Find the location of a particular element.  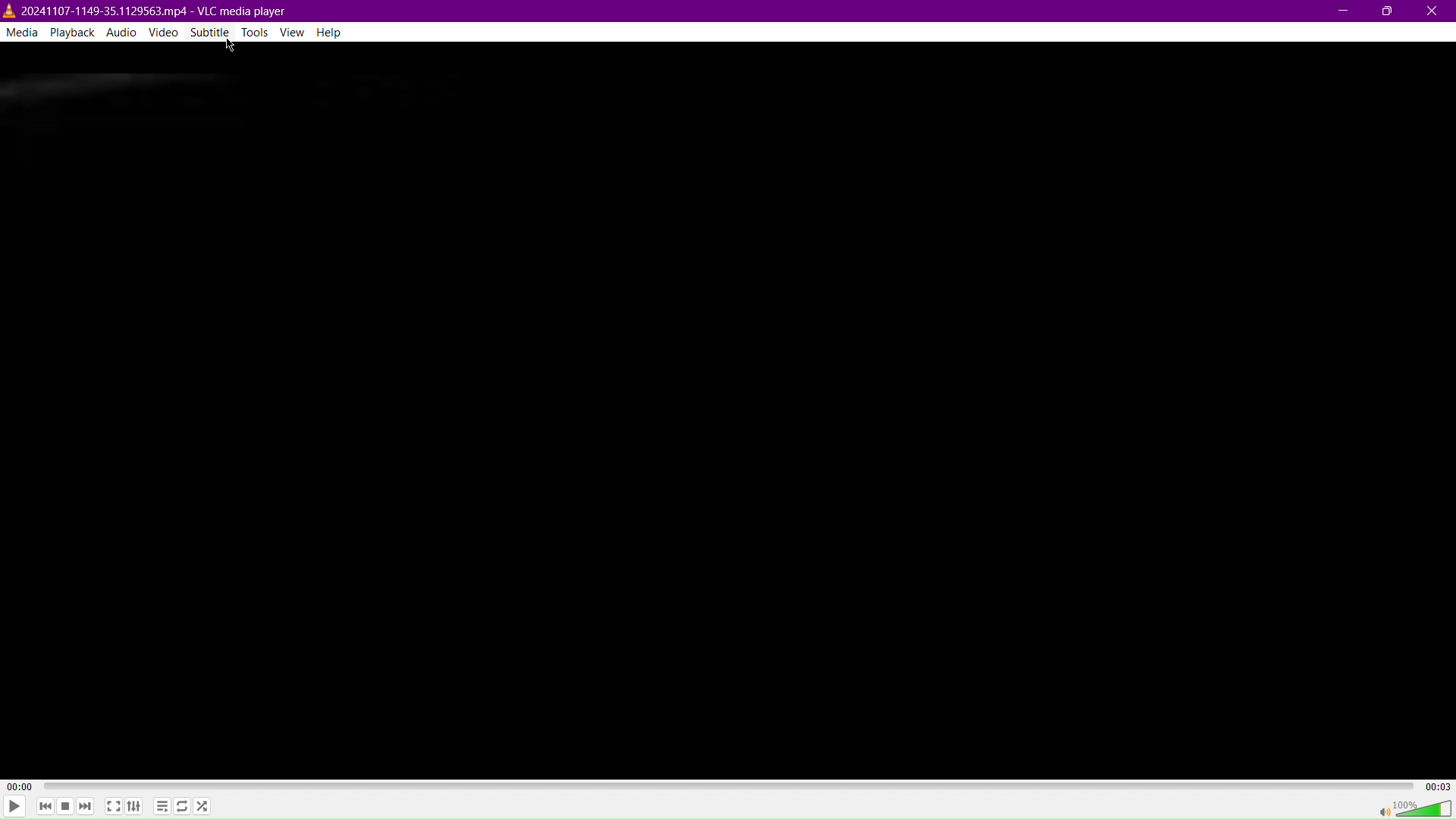

TImeline is located at coordinates (730, 784).